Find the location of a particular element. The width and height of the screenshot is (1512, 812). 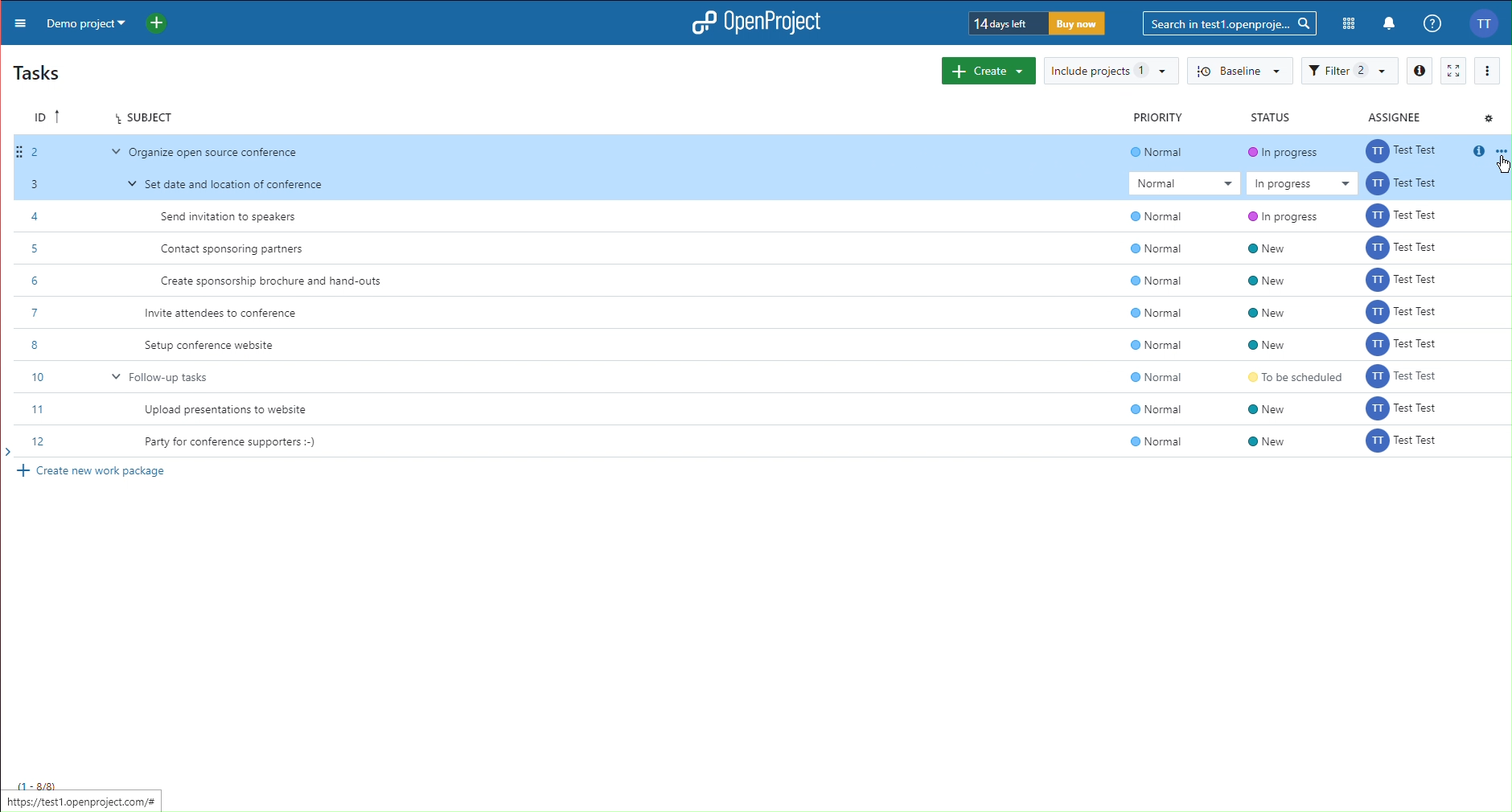

More is located at coordinates (17, 22).